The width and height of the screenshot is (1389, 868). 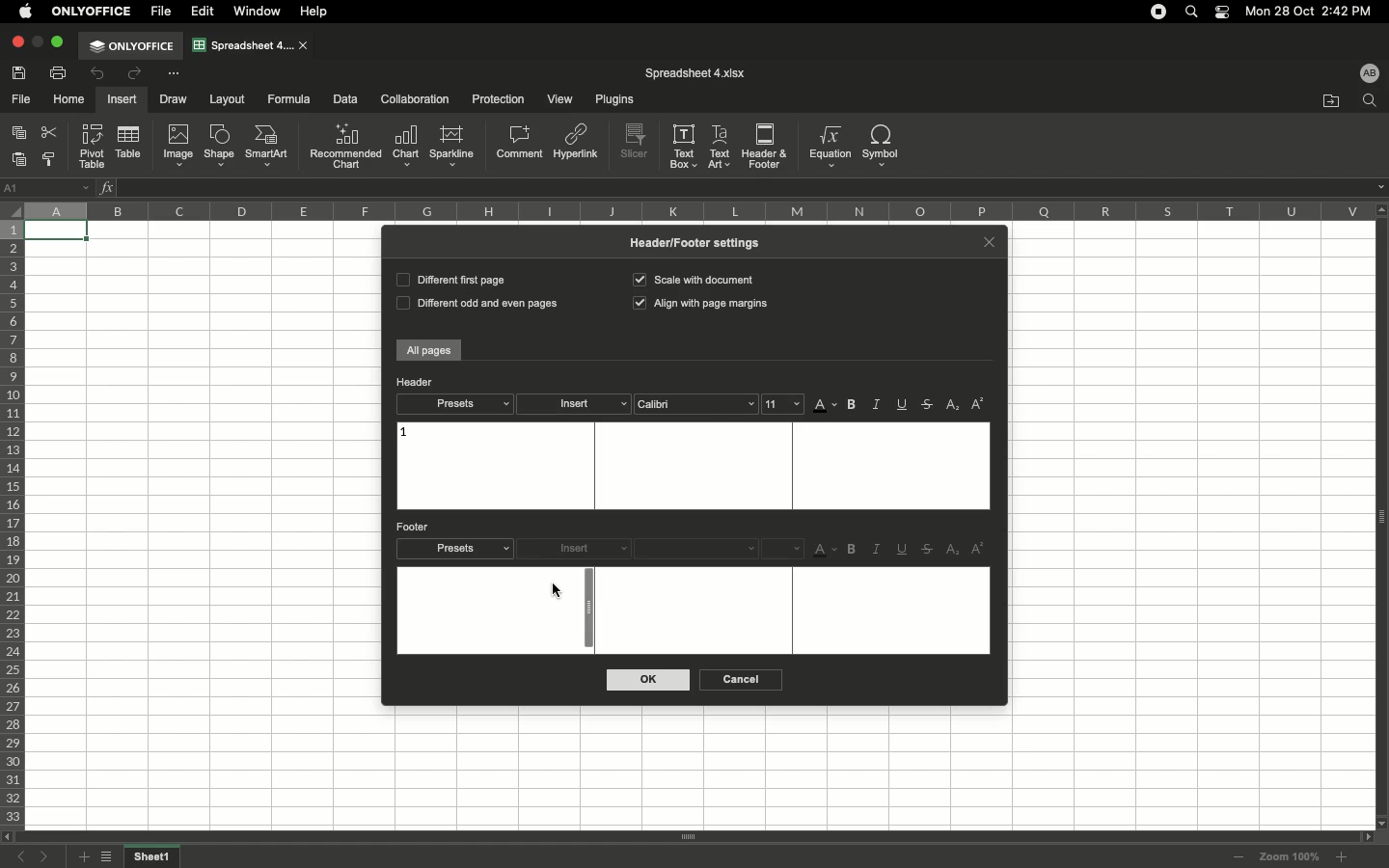 What do you see at coordinates (60, 72) in the screenshot?
I see `Print` at bounding box center [60, 72].